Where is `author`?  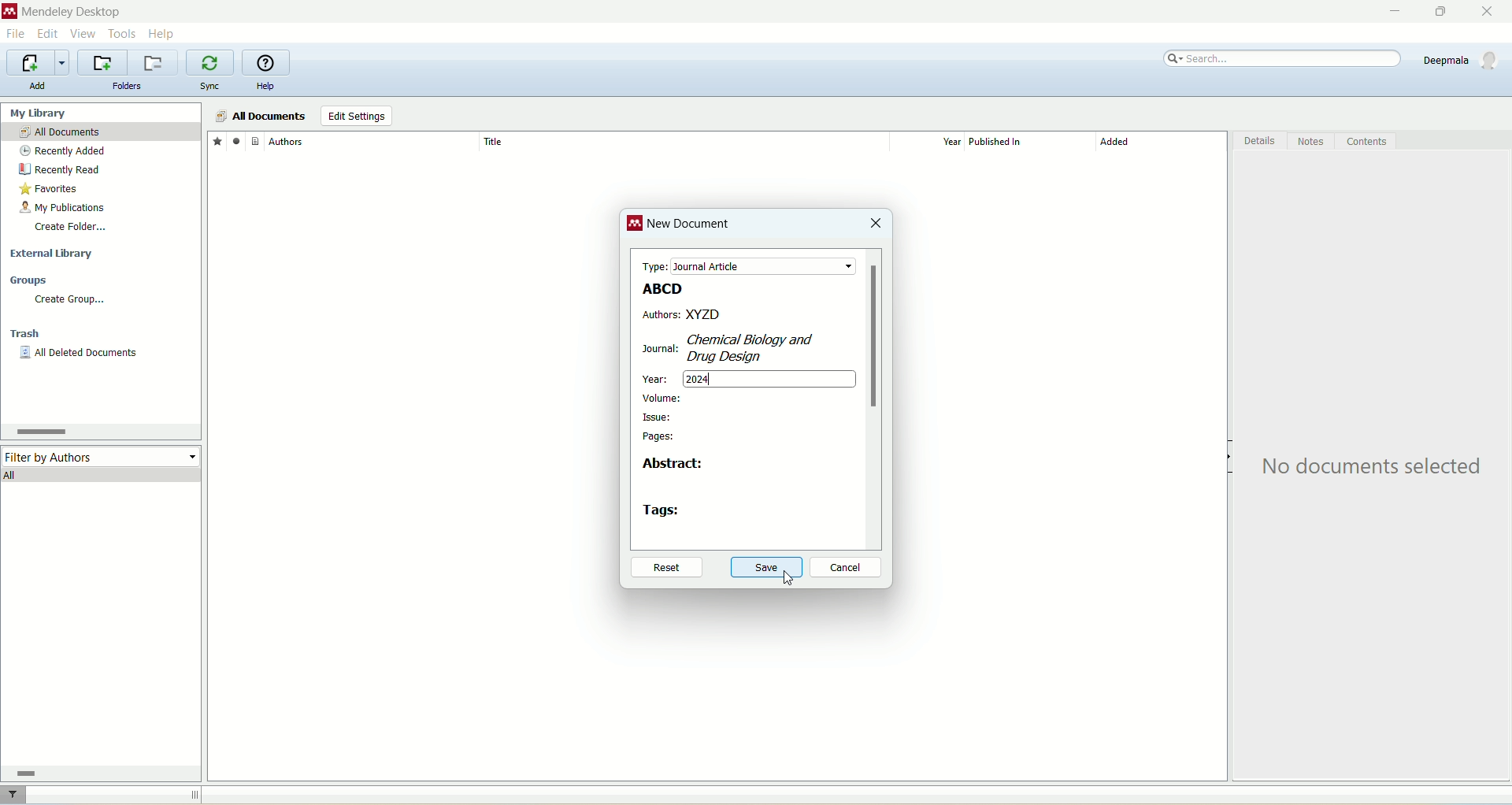 author is located at coordinates (373, 142).